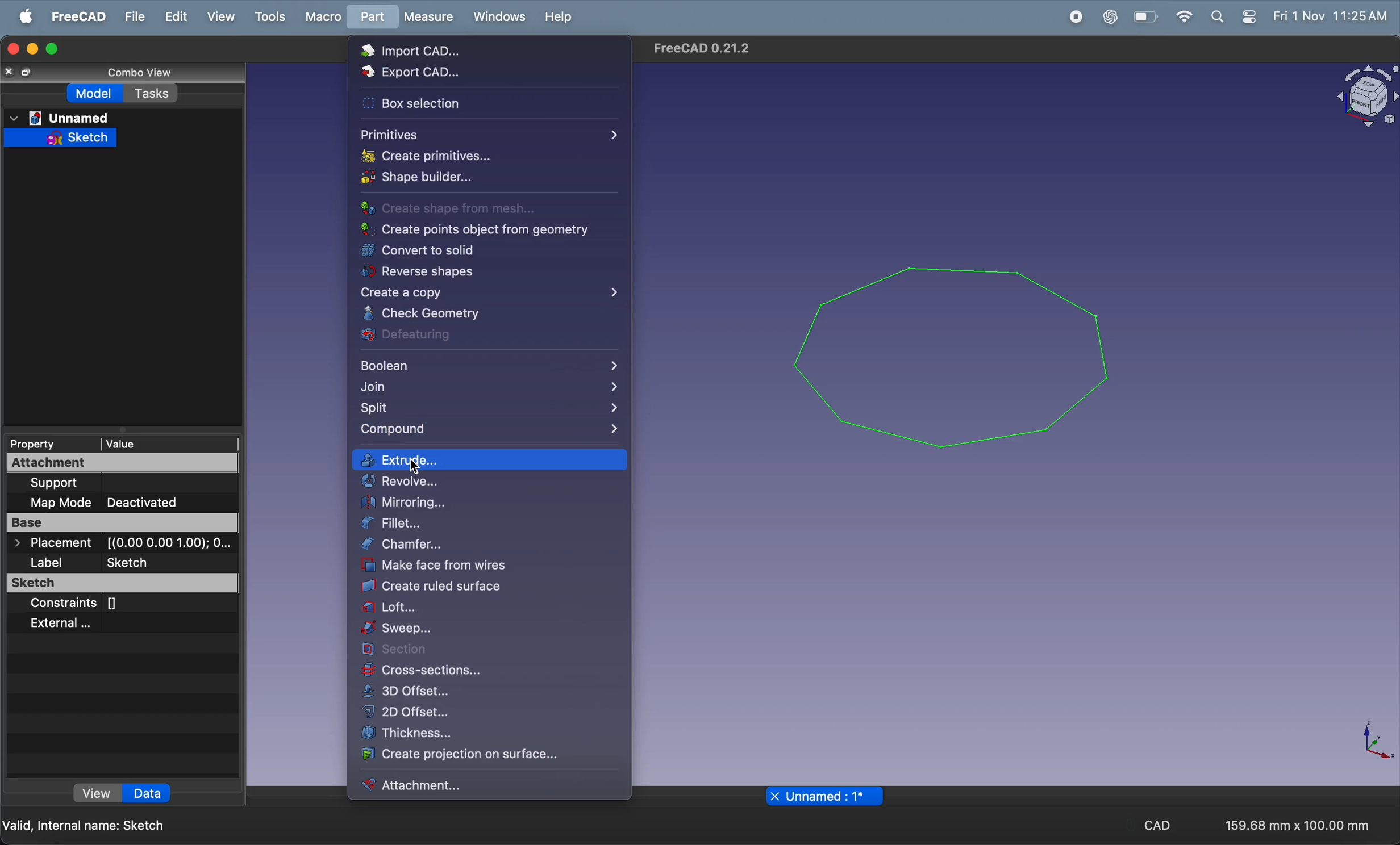  I want to click on view, so click(99, 794).